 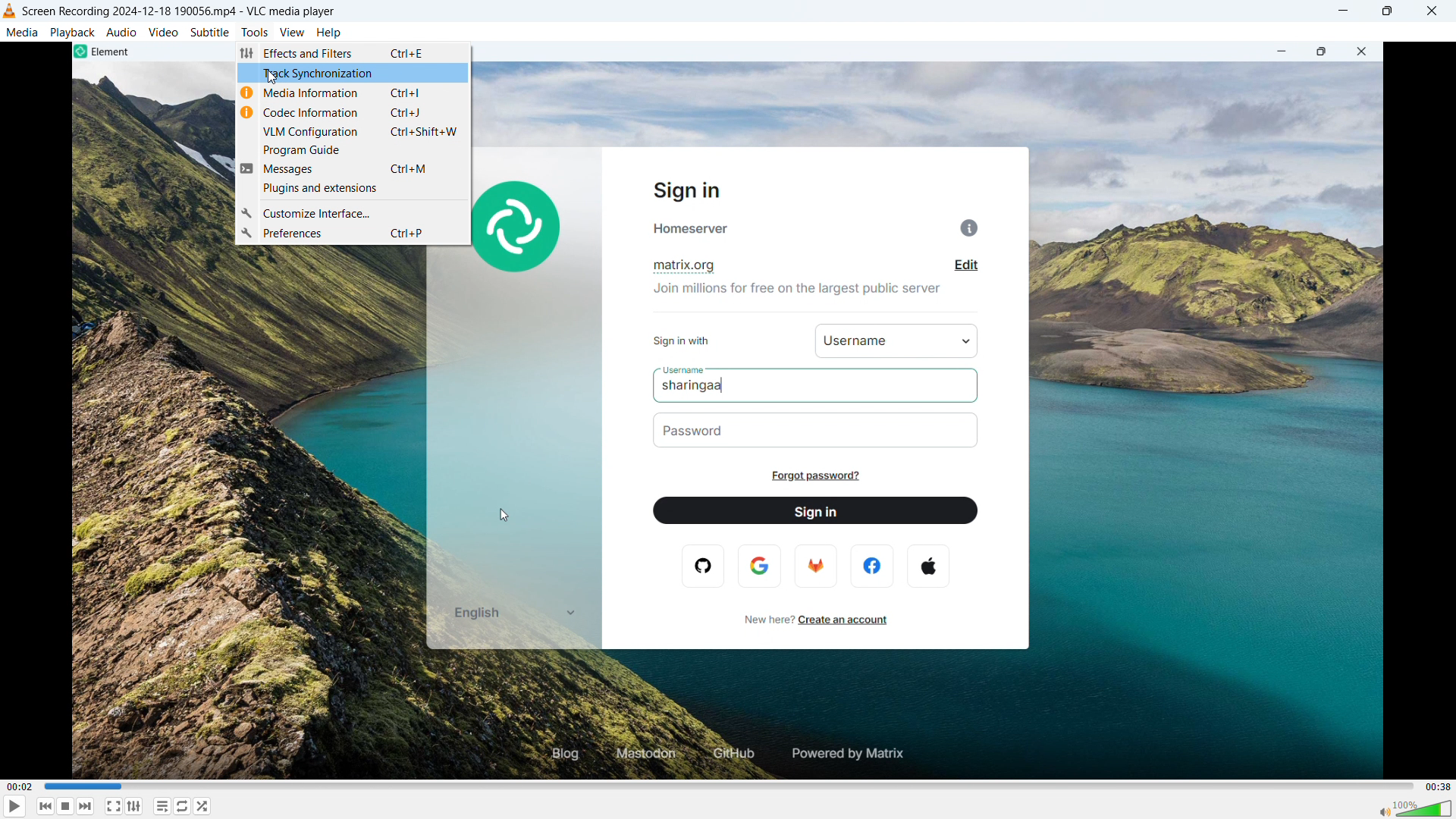 I want to click on facebook logo, so click(x=874, y=565).